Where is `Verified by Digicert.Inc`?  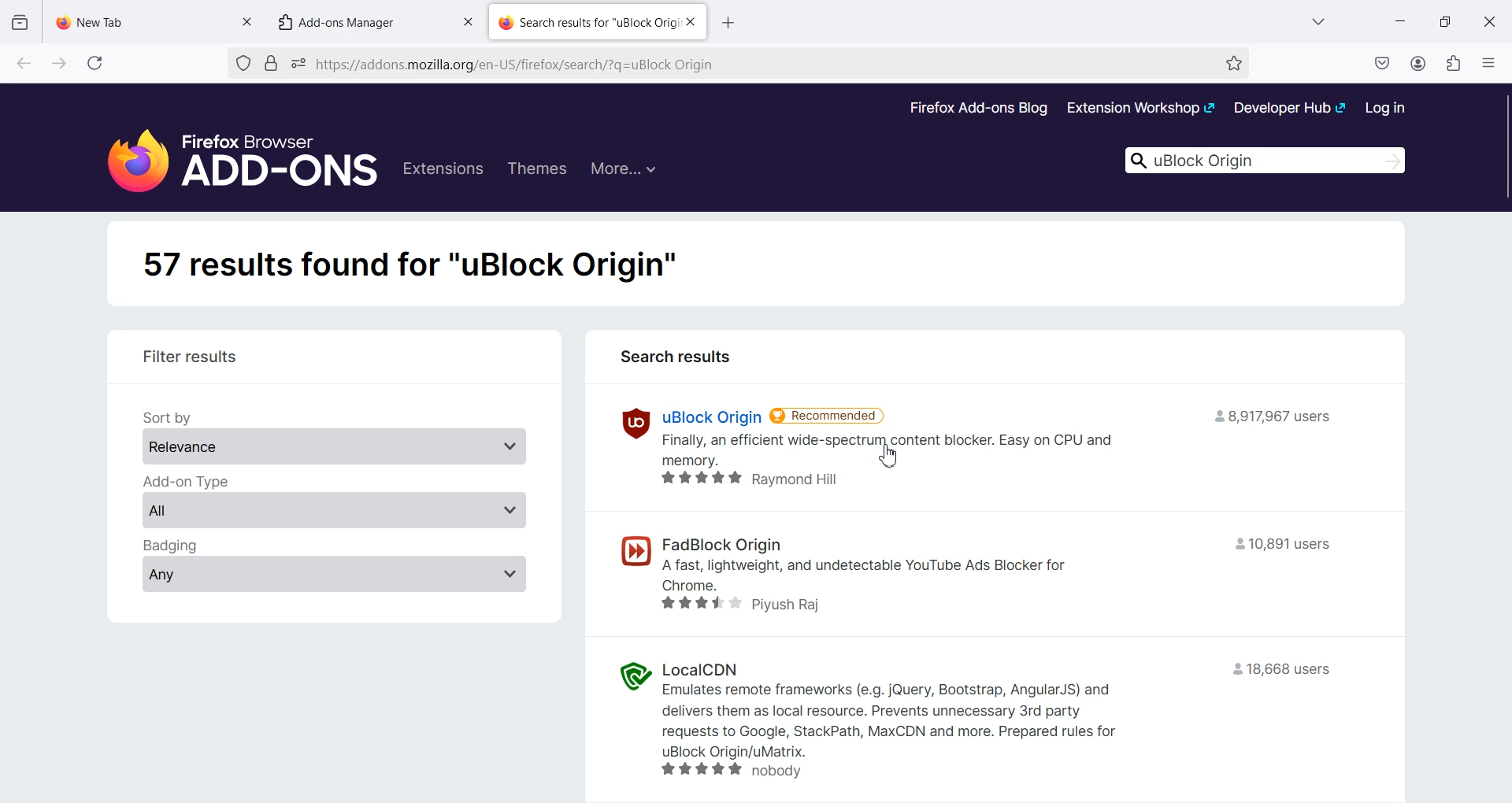
Verified by Digicert.Inc is located at coordinates (270, 64).